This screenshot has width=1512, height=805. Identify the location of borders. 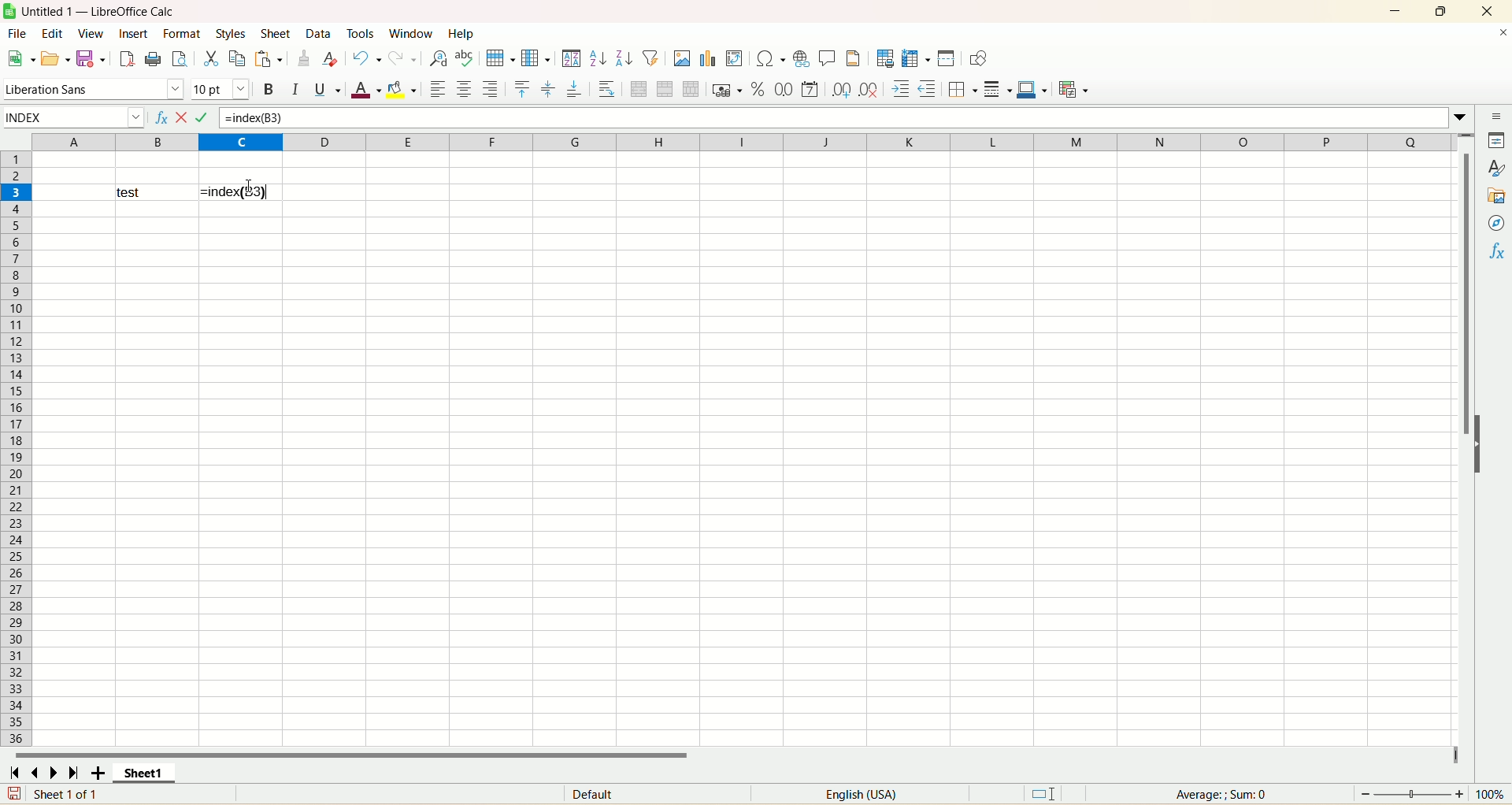
(963, 89).